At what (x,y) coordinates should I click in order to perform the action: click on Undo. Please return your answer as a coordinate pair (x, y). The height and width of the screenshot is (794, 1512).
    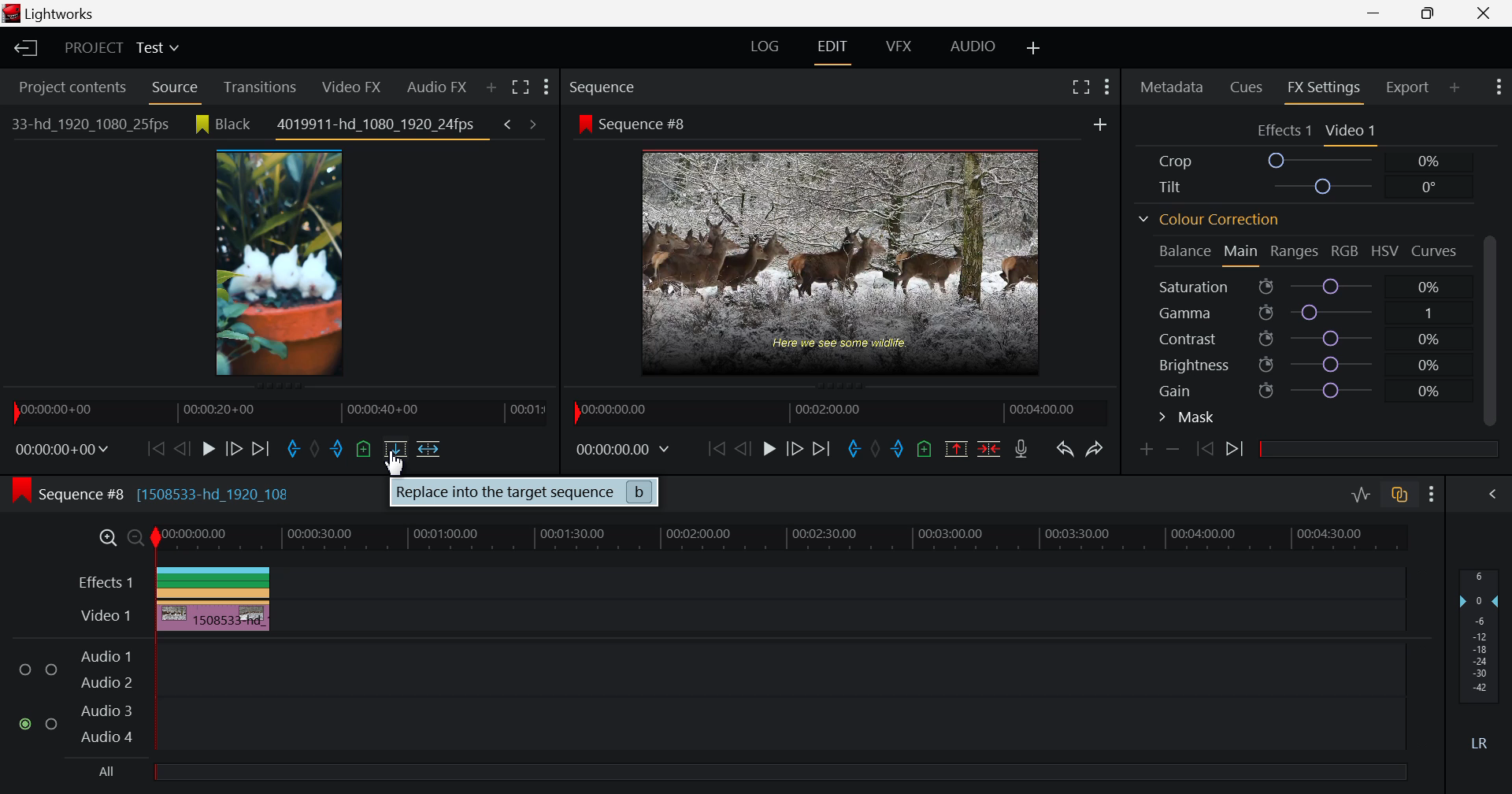
    Looking at the image, I should click on (1065, 450).